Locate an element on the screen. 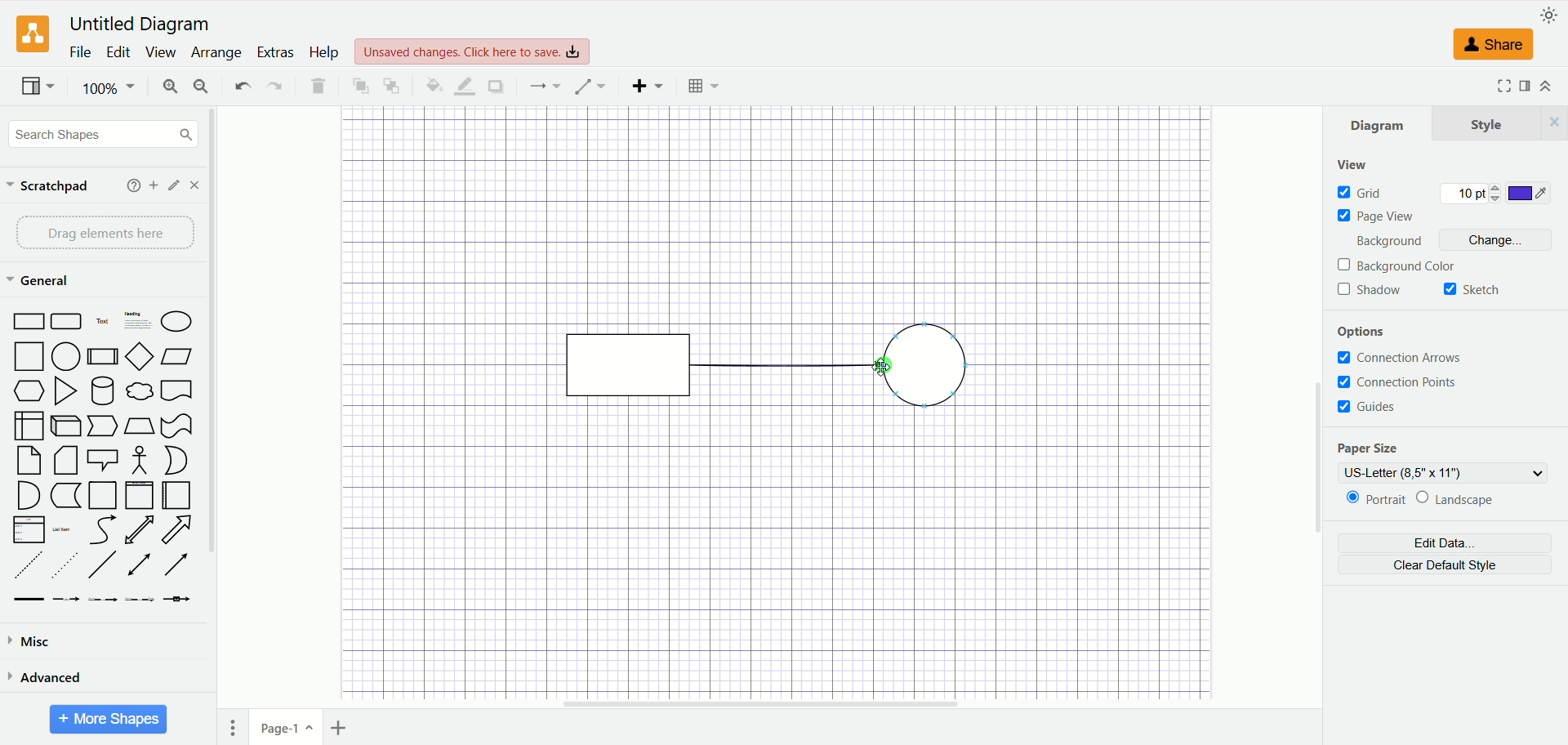 This screenshot has height=745, width=1568. Line is located at coordinates (104, 565).